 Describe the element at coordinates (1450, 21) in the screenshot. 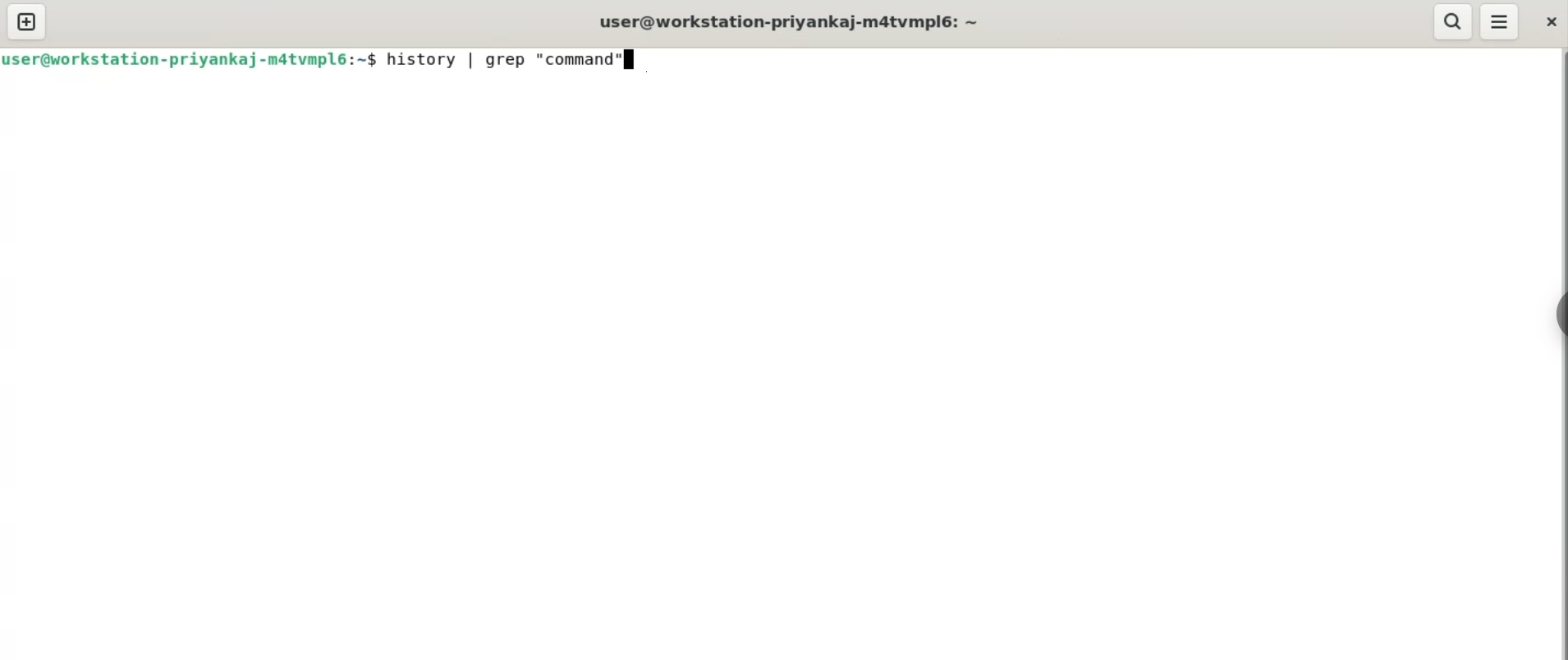

I see `search` at that location.